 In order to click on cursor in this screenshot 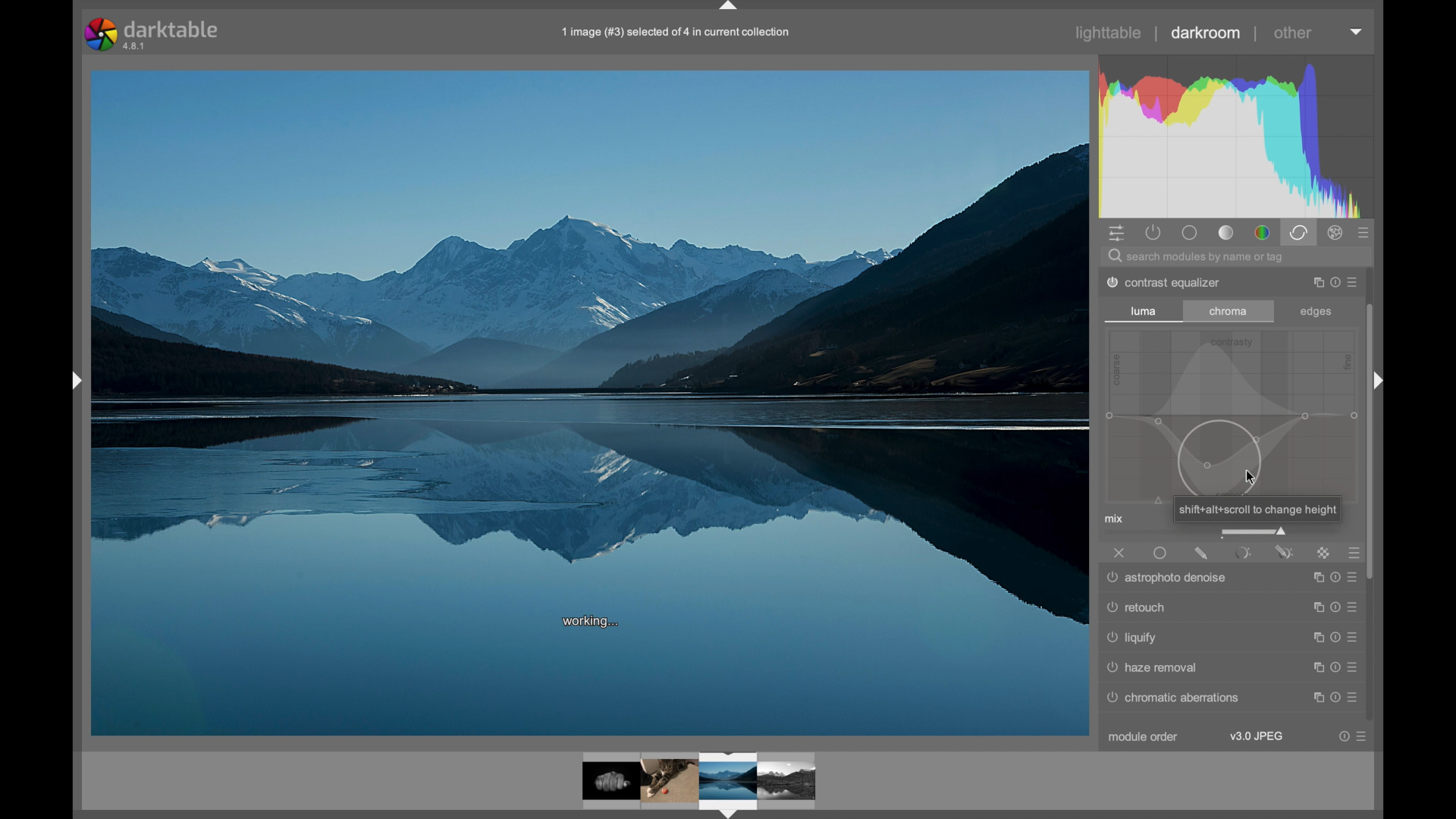, I will do `click(1252, 478)`.